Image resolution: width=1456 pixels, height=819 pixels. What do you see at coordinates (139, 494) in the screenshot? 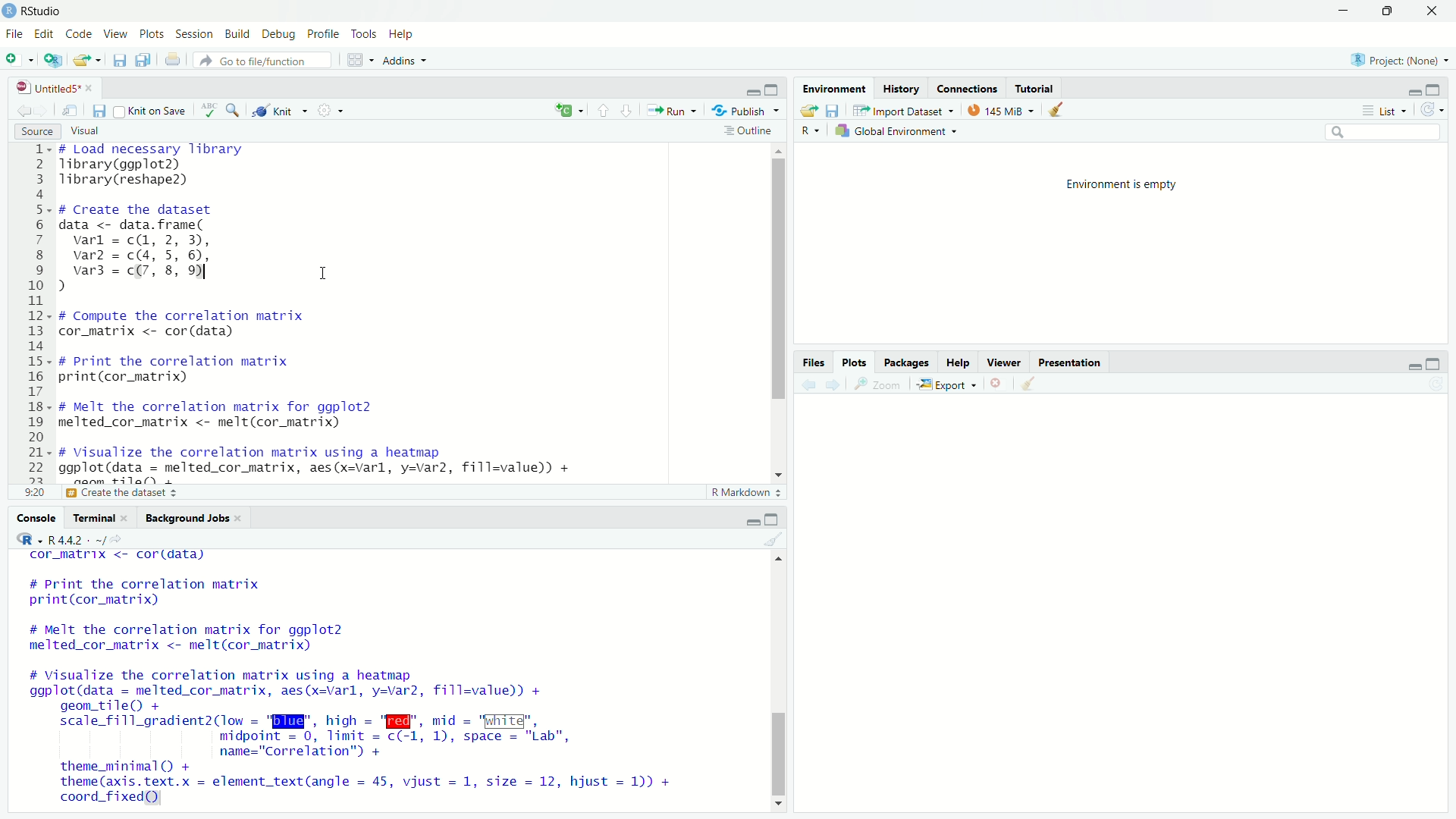
I see `print the correlation matrix` at bounding box center [139, 494].